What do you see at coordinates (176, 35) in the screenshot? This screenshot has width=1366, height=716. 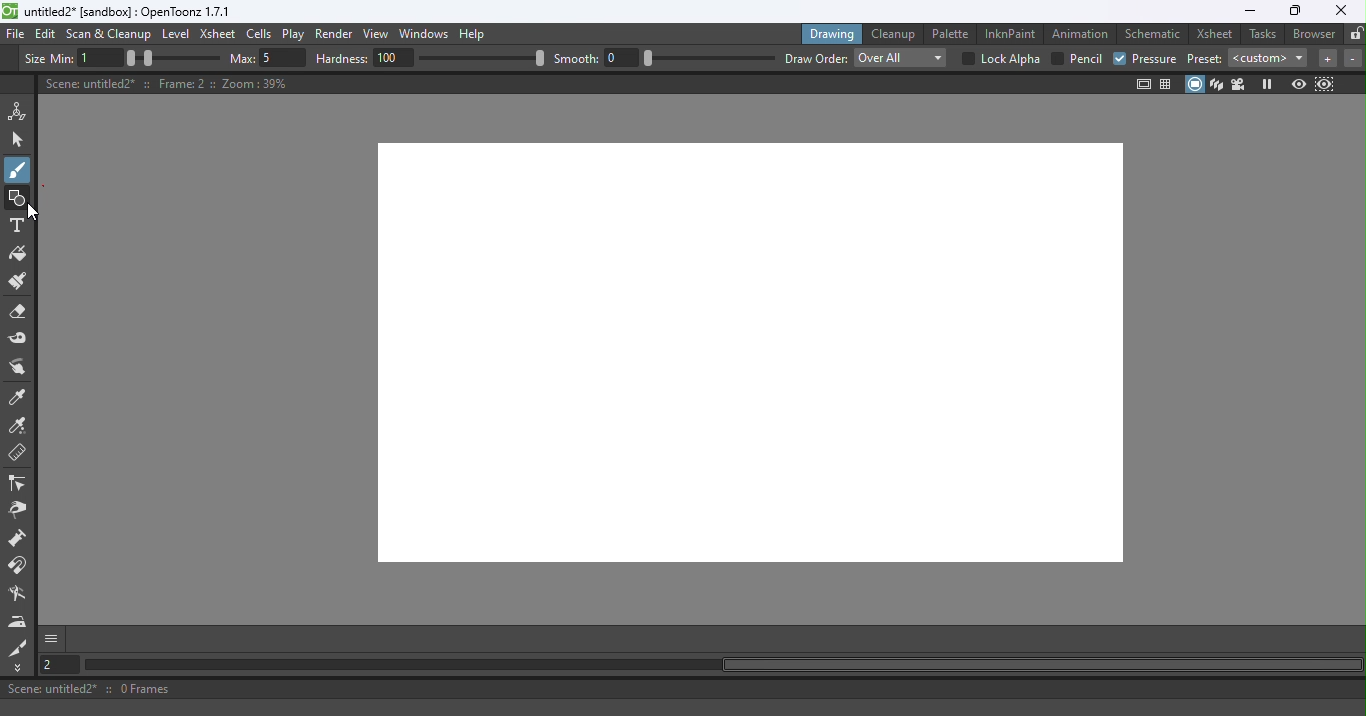 I see `Level` at bounding box center [176, 35].